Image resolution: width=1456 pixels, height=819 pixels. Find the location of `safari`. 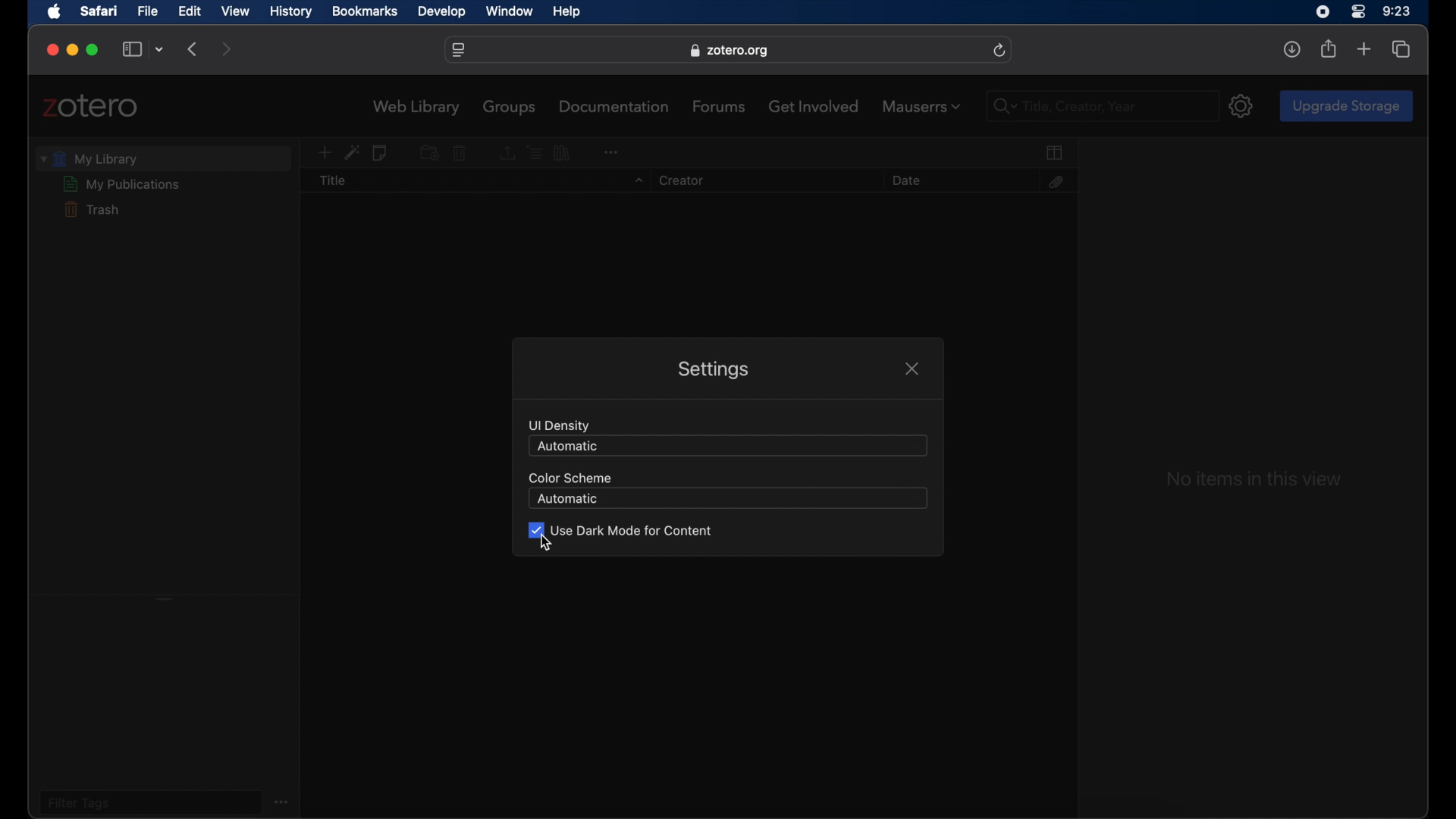

safari is located at coordinates (99, 11).